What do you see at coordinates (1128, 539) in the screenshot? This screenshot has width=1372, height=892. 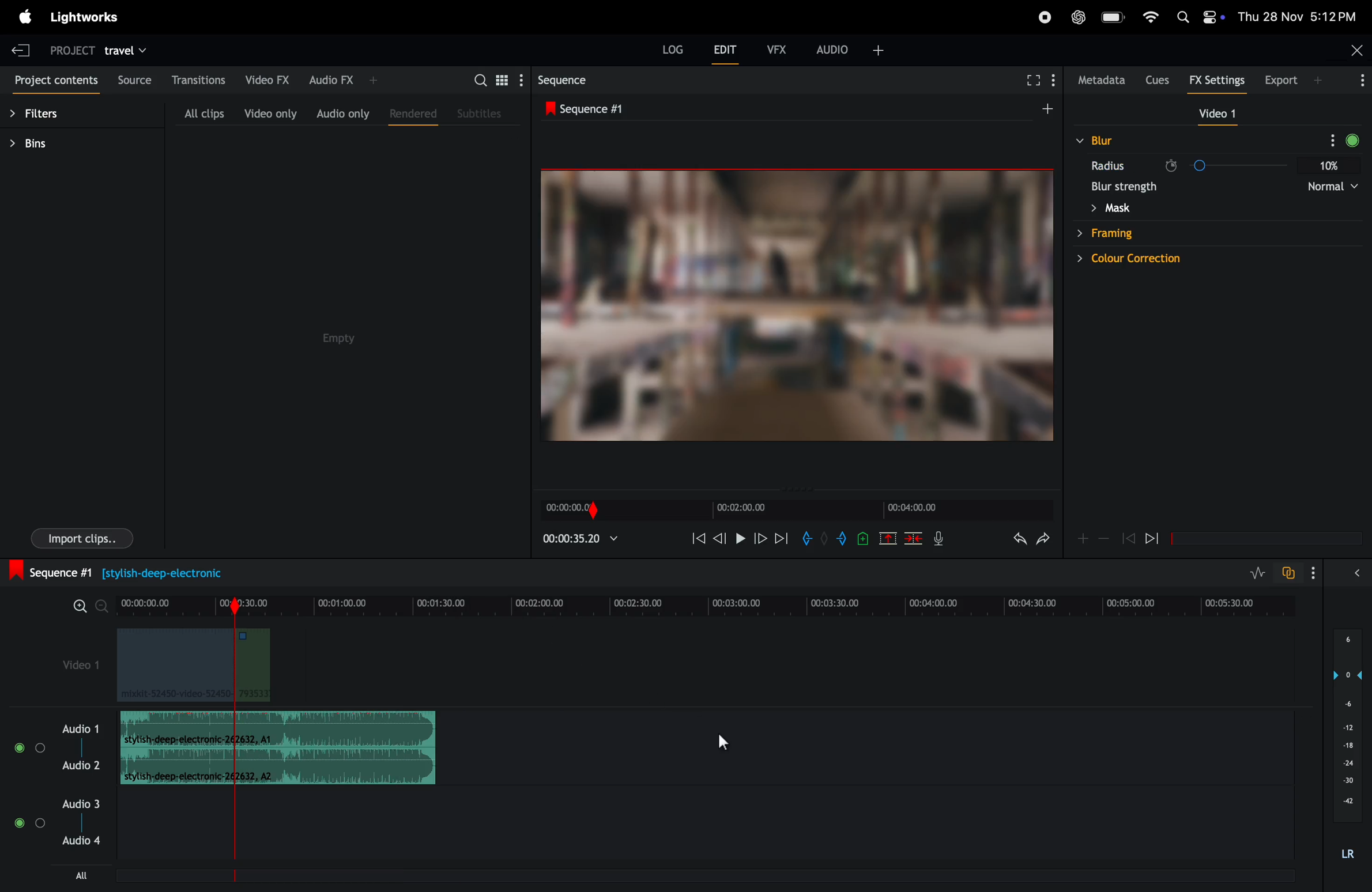 I see `rewind` at bounding box center [1128, 539].